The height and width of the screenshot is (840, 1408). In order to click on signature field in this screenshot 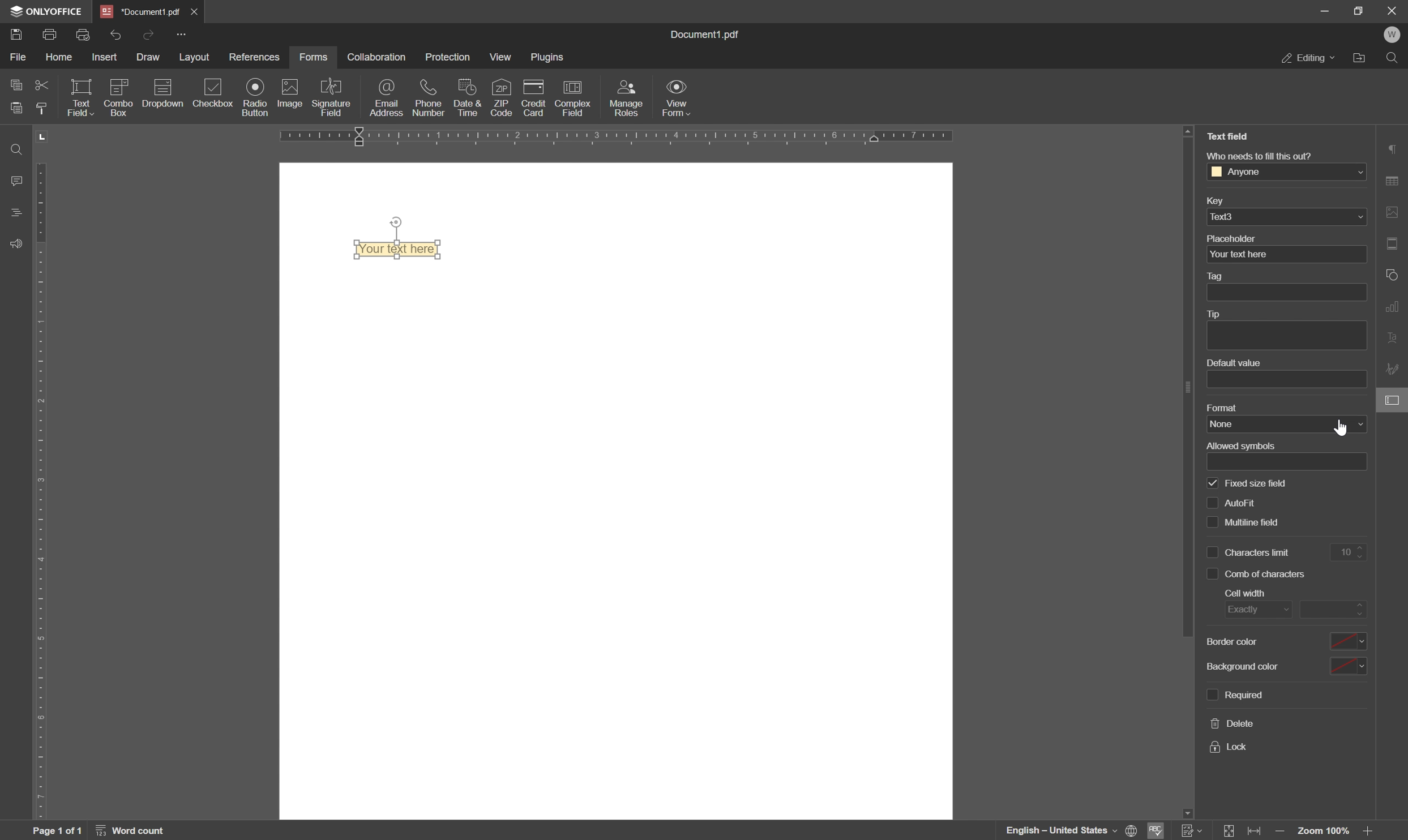, I will do `click(333, 97)`.